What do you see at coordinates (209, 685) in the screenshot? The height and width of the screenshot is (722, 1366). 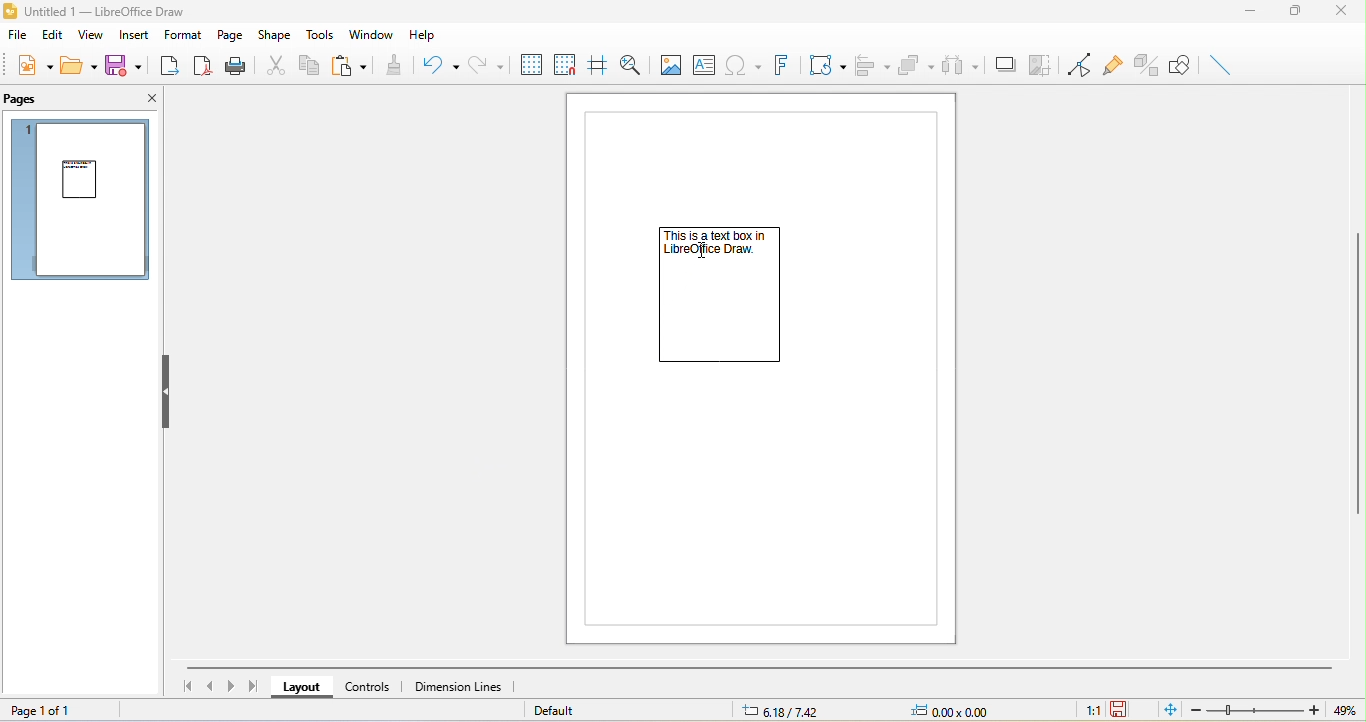 I see `previous page` at bounding box center [209, 685].